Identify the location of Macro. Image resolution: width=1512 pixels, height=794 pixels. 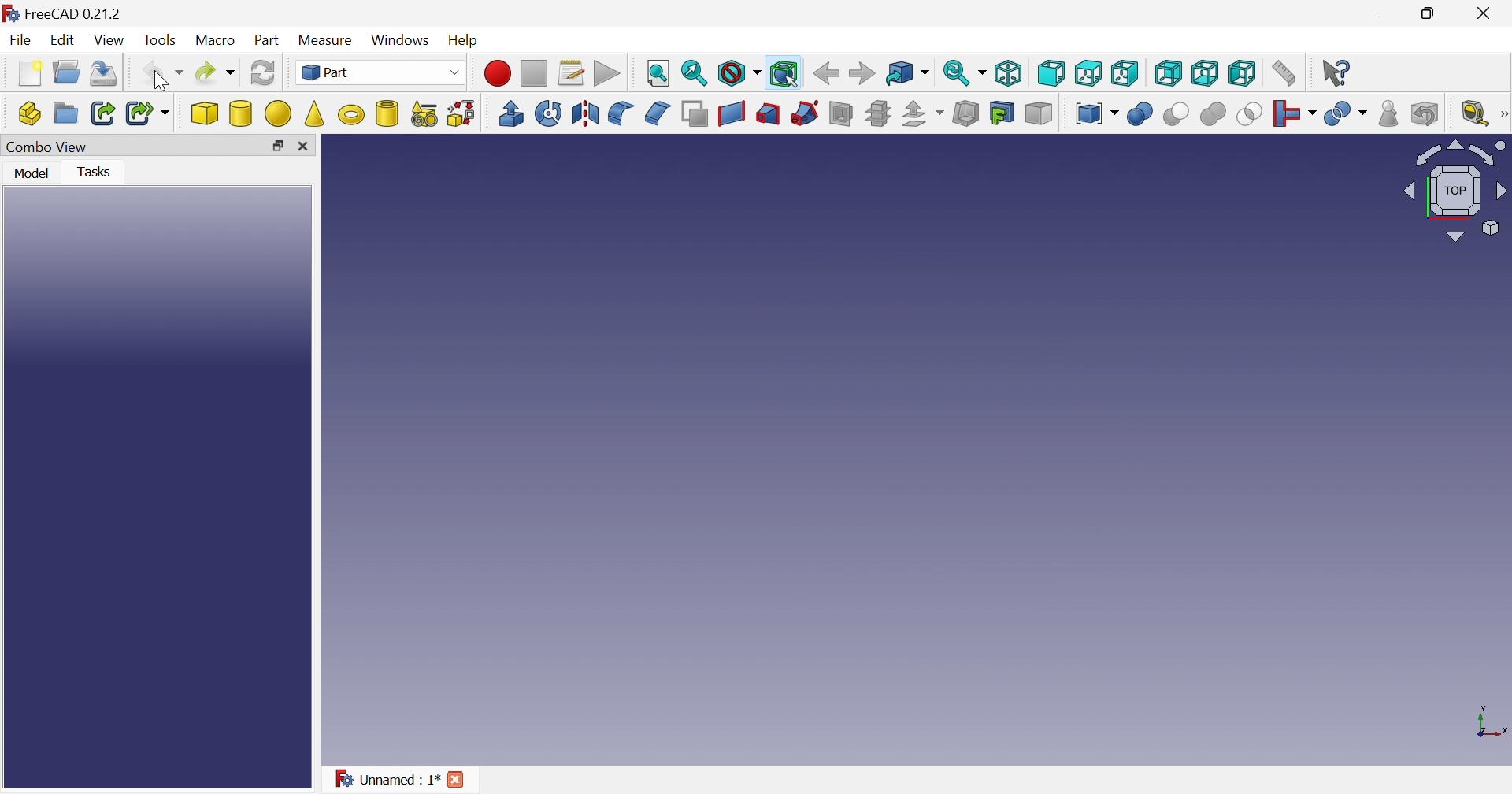
(215, 41).